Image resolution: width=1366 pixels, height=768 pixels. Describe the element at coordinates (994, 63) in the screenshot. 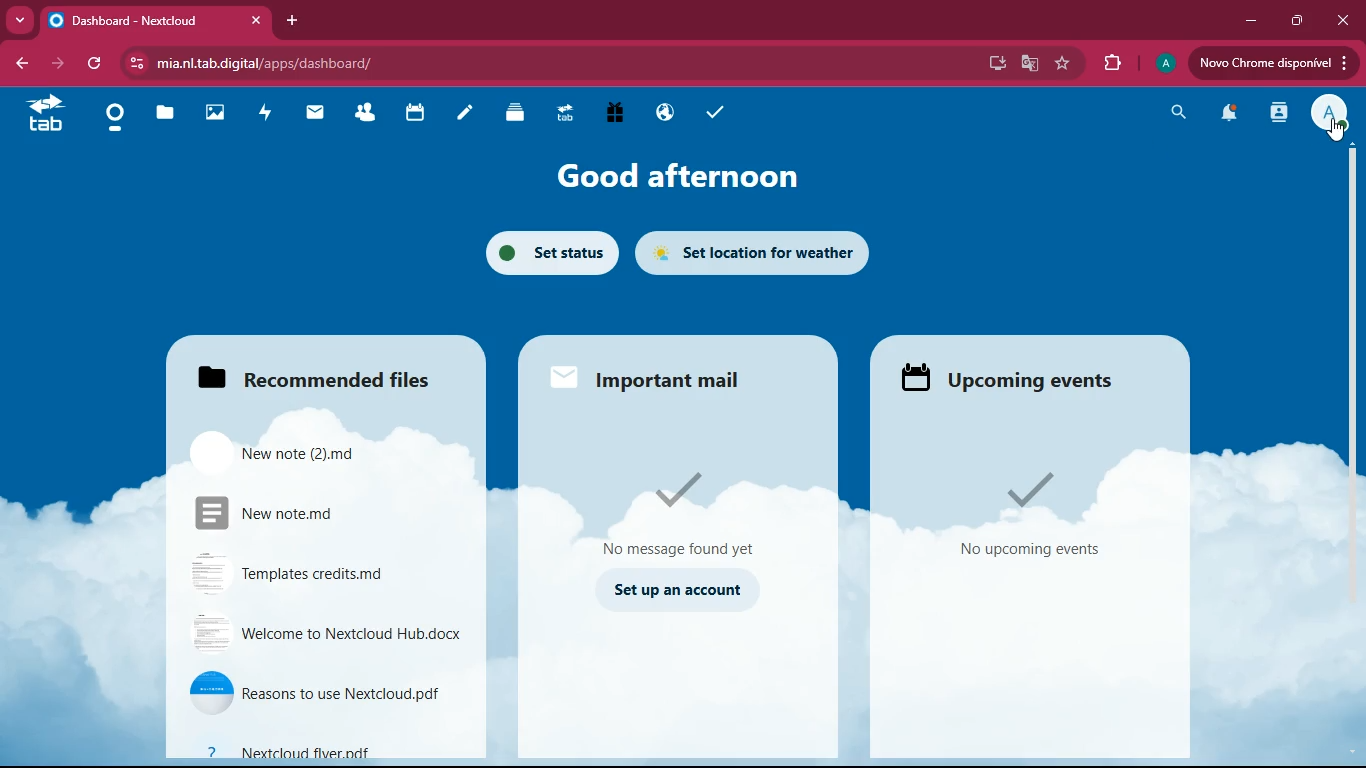

I see `desktop` at that location.